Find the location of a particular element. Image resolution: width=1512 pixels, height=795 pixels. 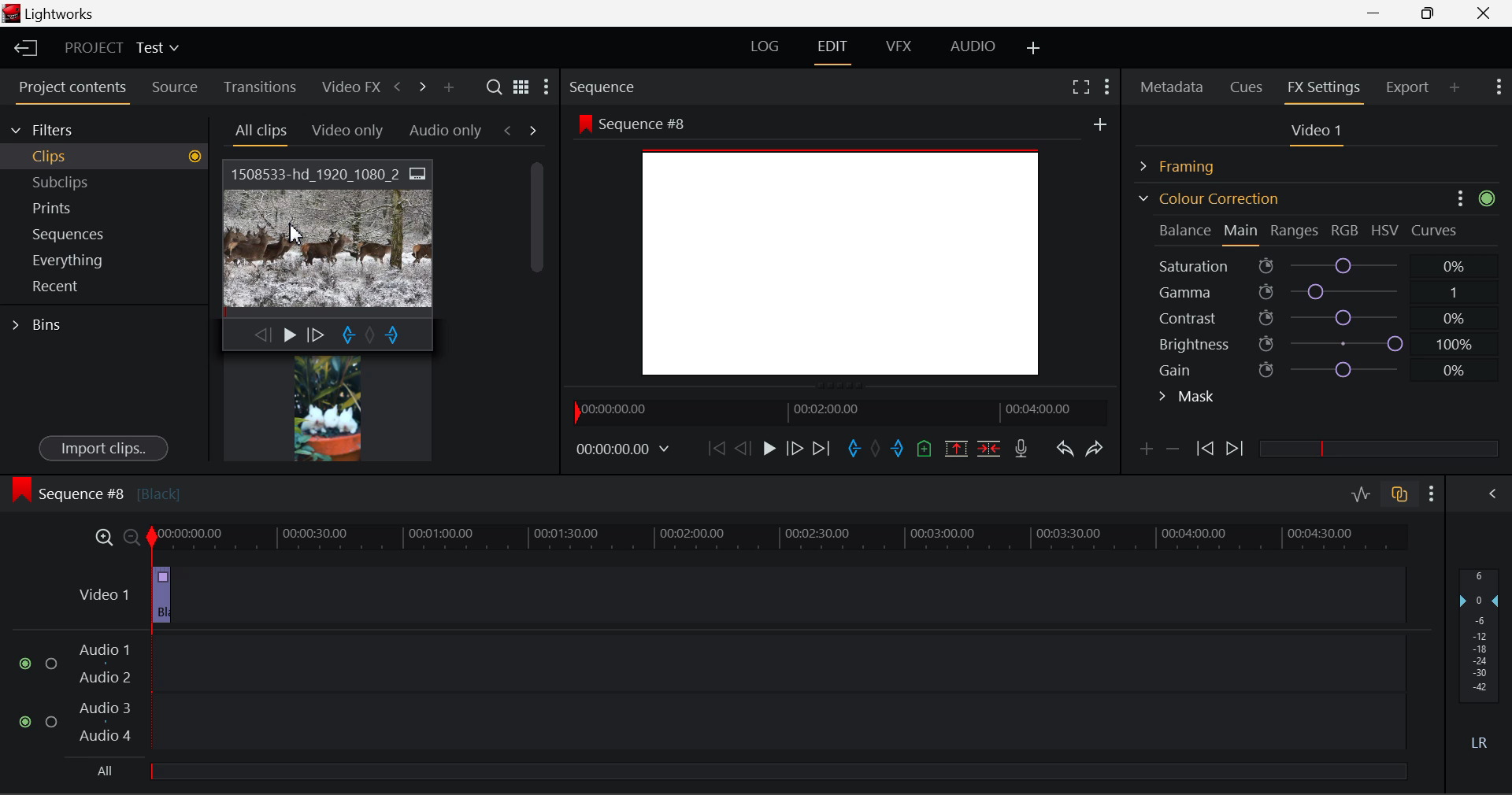

Background changed is located at coordinates (843, 249).